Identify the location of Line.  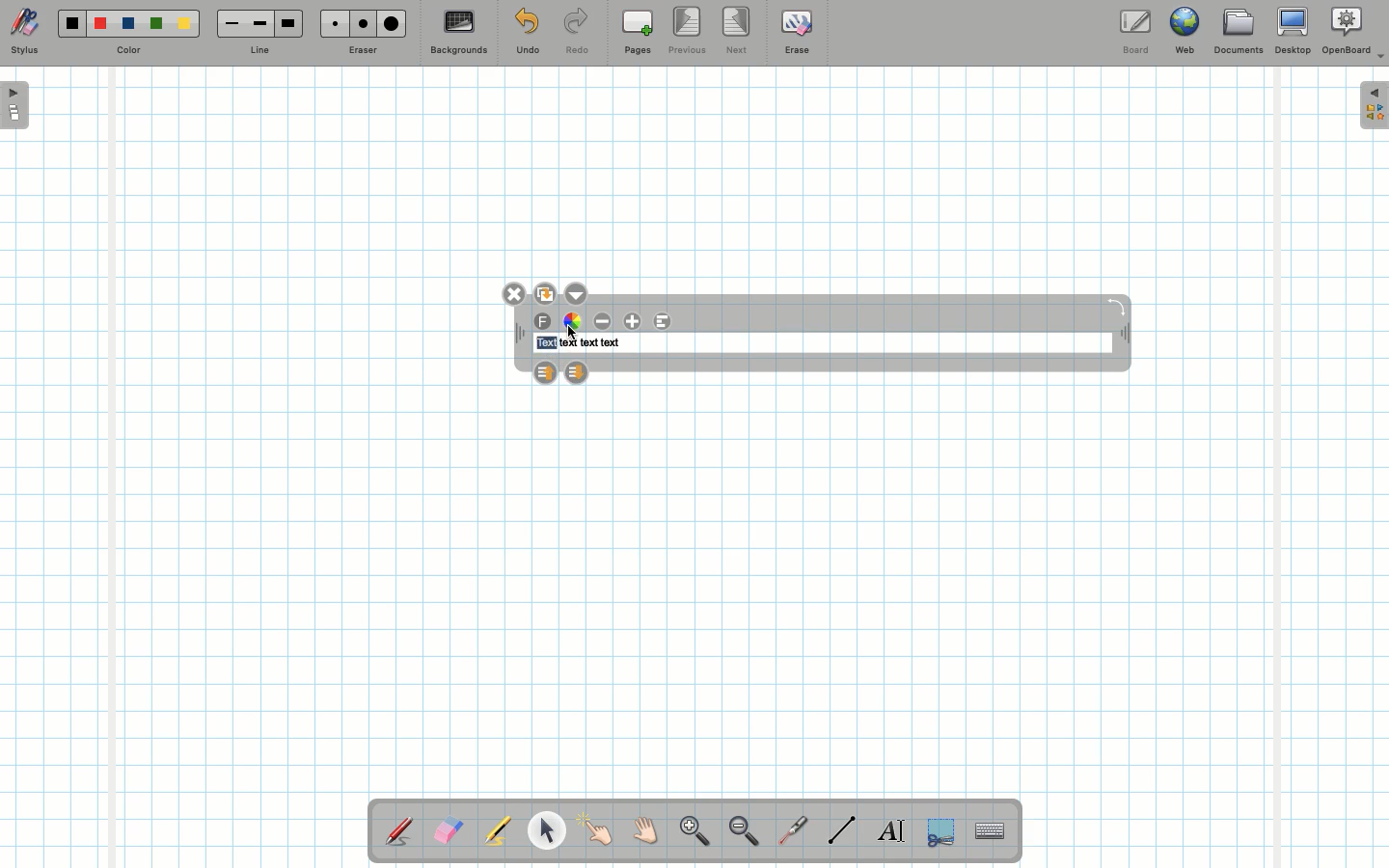
(259, 51).